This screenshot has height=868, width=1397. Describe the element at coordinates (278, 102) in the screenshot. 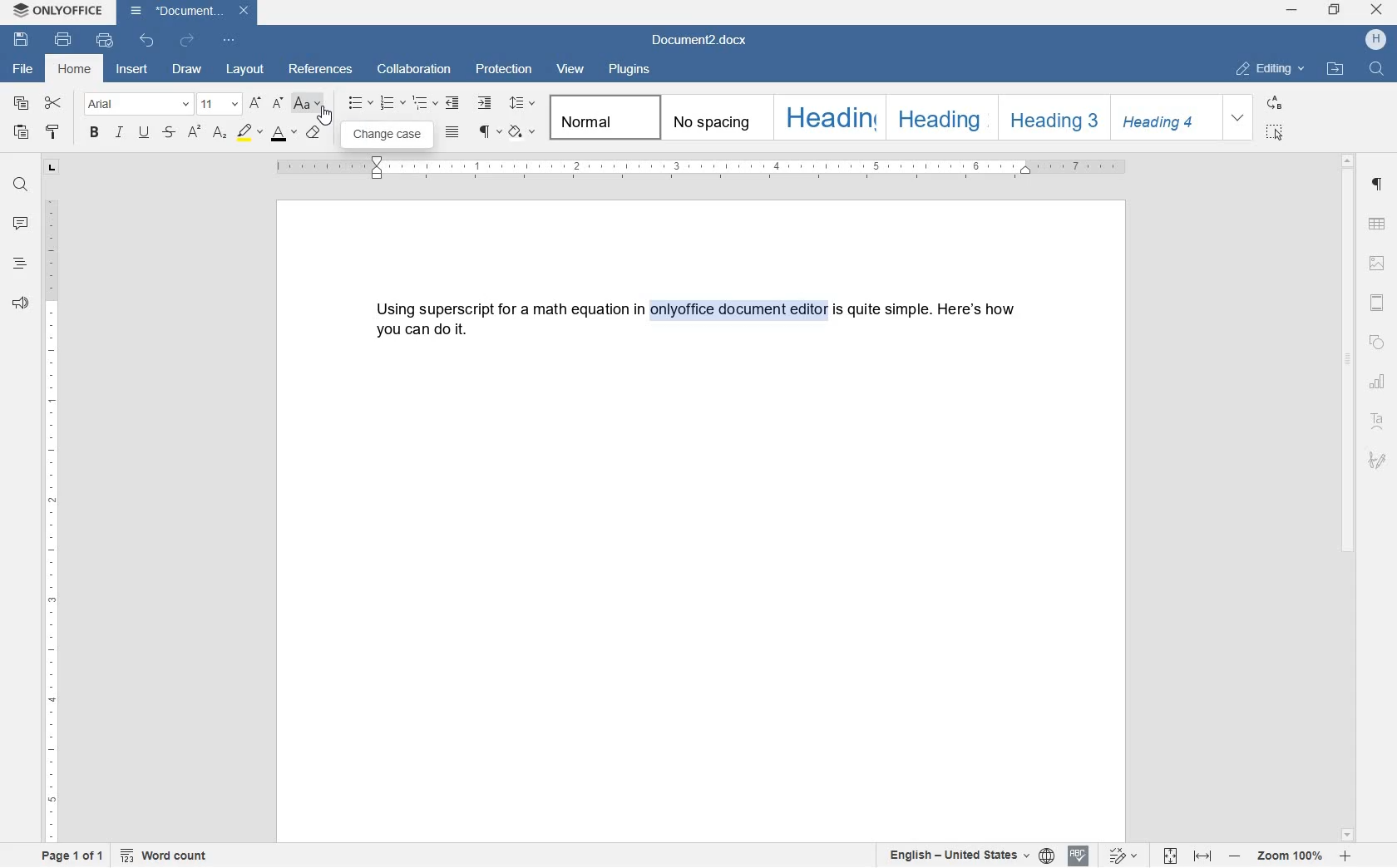

I see `decrement font size` at that location.